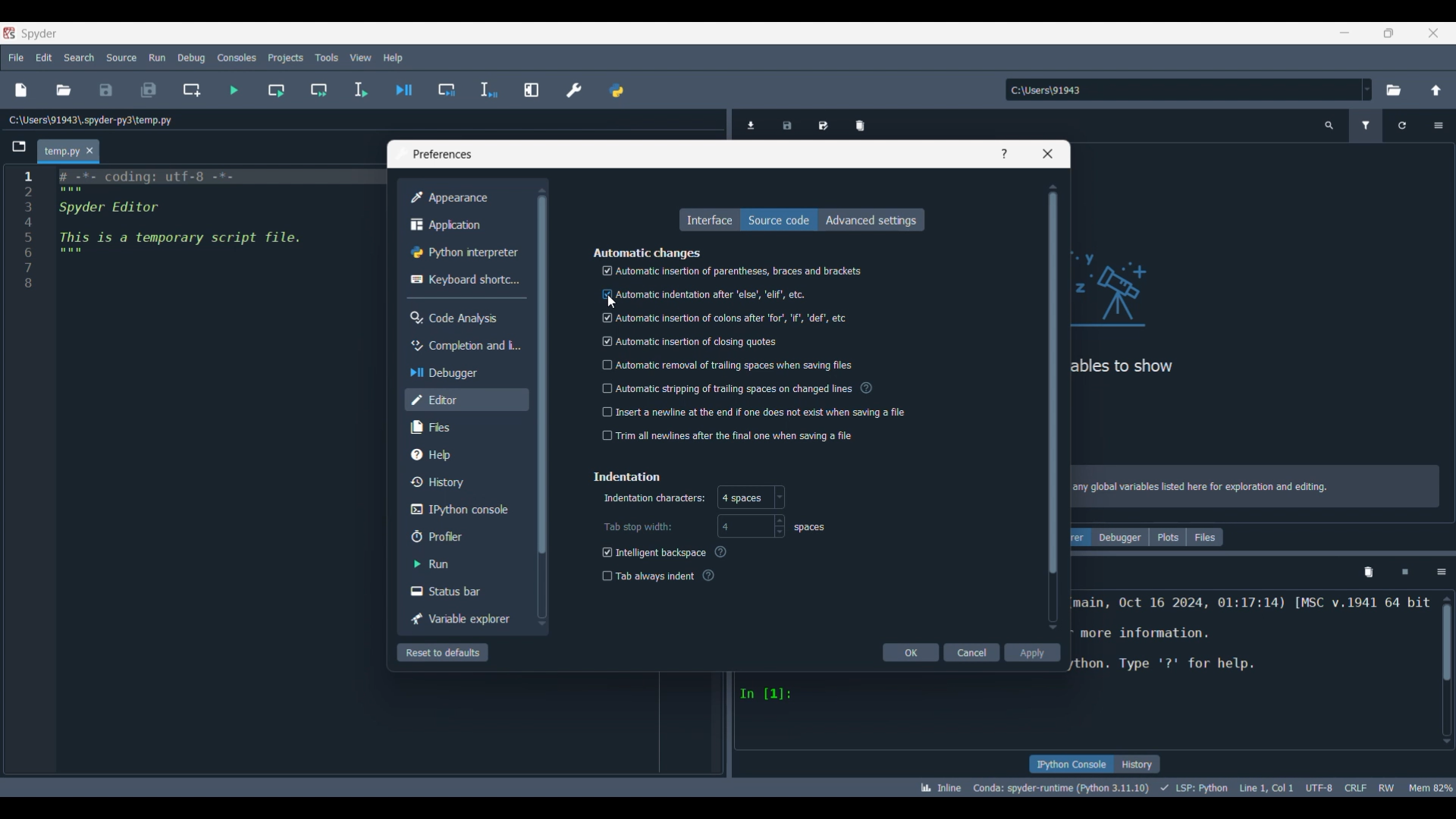 The width and height of the screenshot is (1456, 819). Describe the element at coordinates (1072, 764) in the screenshot. I see `IPython console` at that location.